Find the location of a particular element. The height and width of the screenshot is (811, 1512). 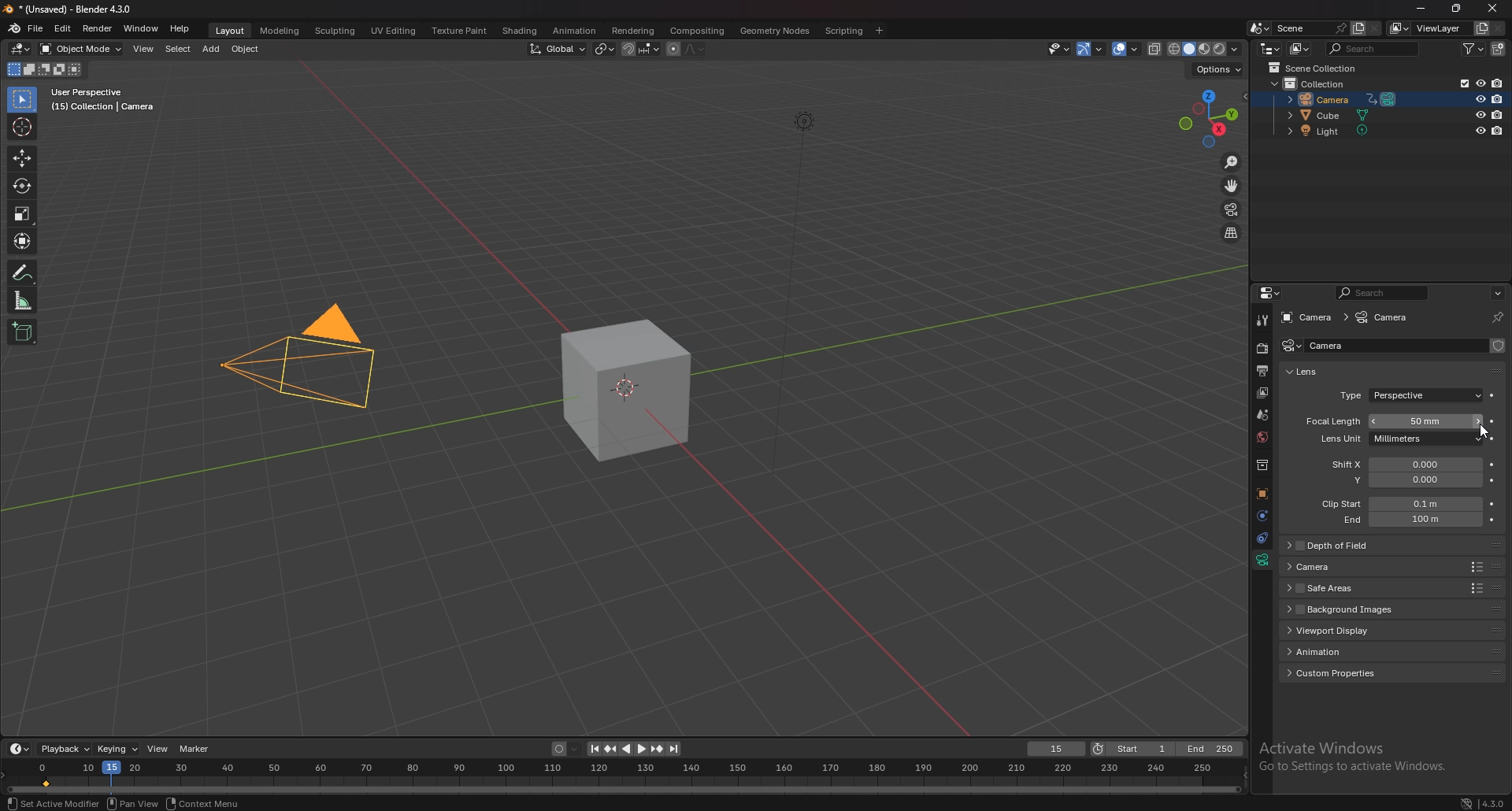

clip start is located at coordinates (1397, 503).